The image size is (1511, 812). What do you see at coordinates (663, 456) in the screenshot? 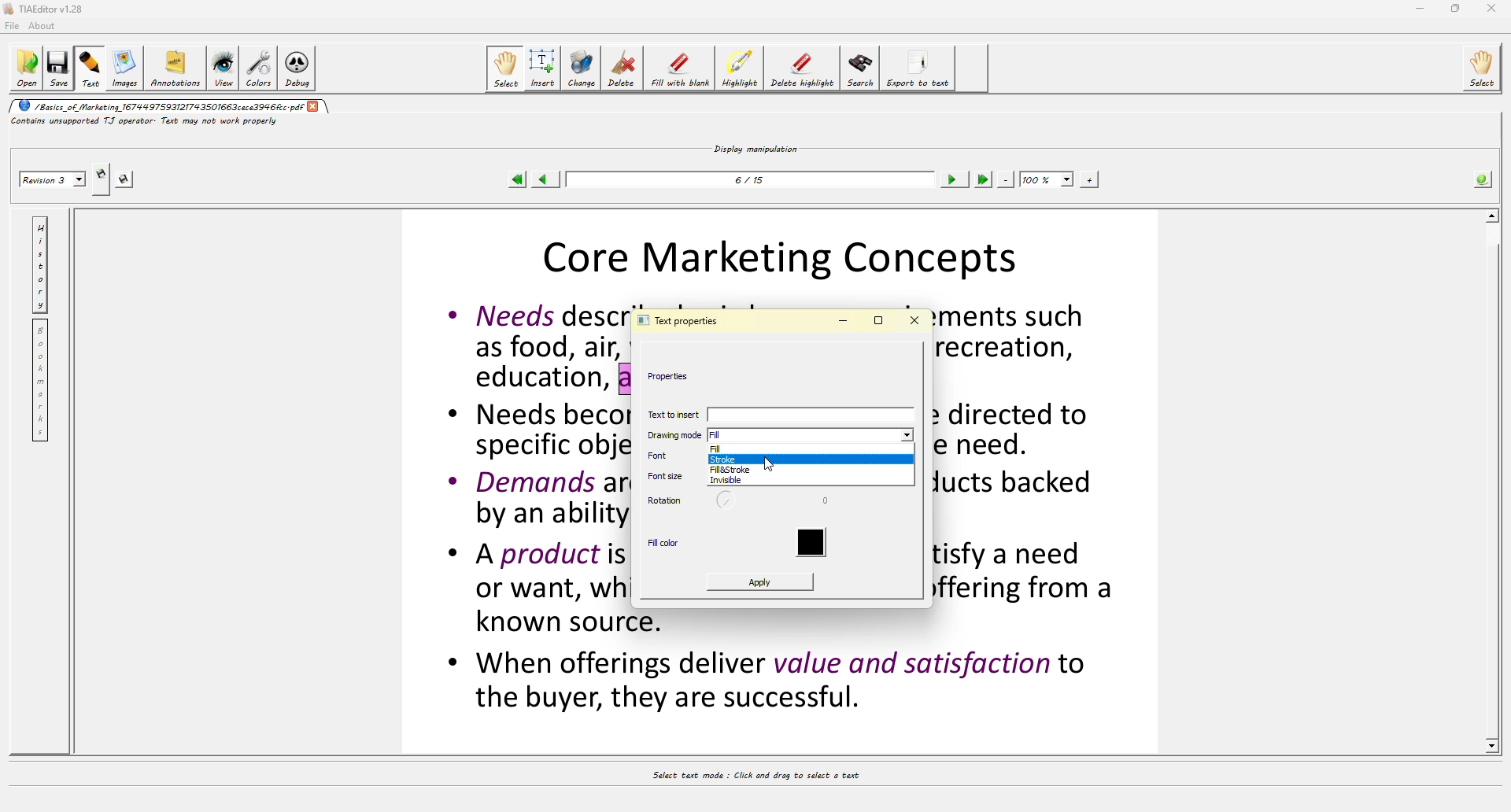
I see `font` at bounding box center [663, 456].